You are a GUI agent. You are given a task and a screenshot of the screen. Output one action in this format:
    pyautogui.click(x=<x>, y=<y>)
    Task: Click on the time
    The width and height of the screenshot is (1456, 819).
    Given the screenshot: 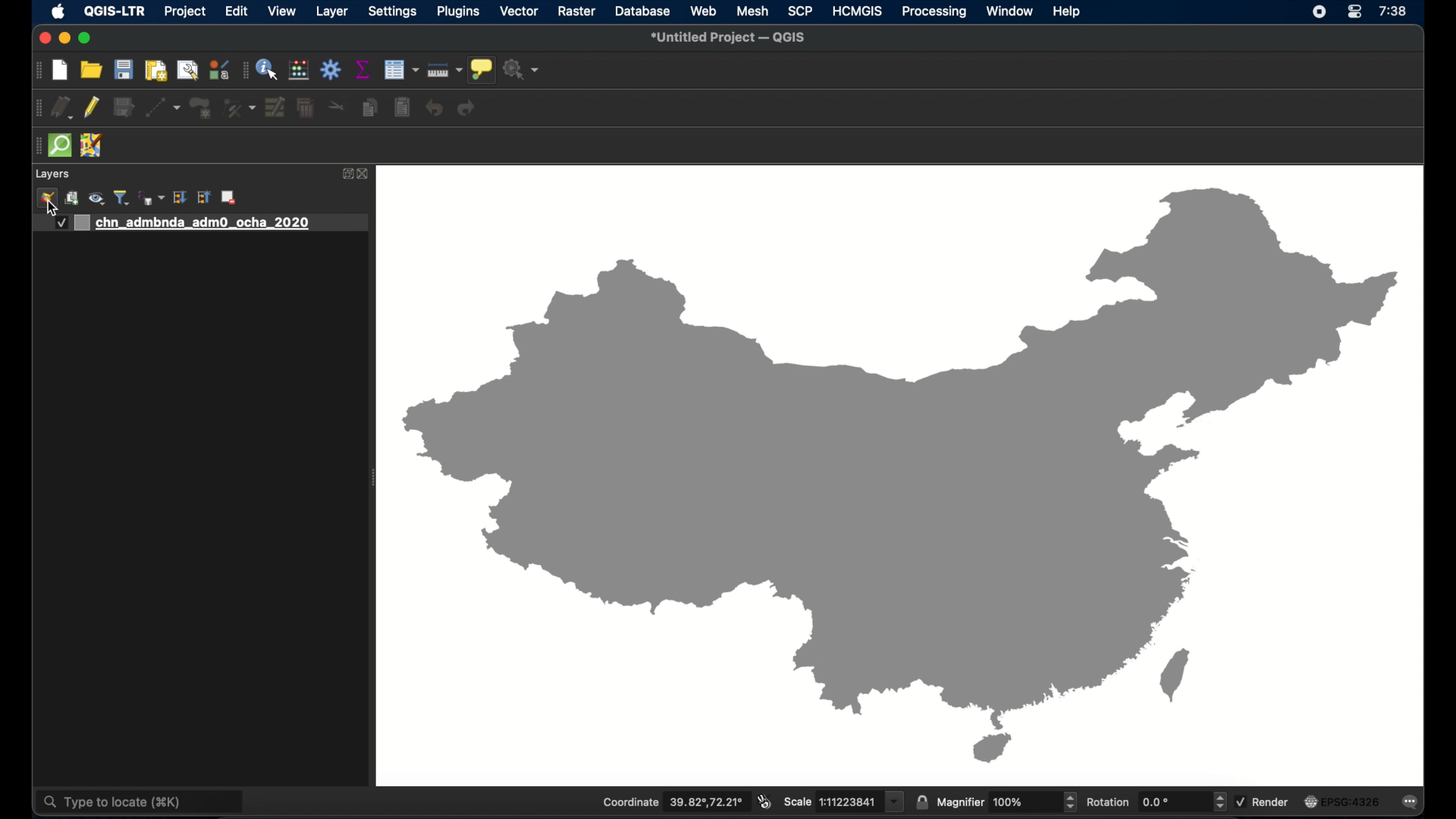 What is the action you would take?
    pyautogui.click(x=1394, y=11)
    